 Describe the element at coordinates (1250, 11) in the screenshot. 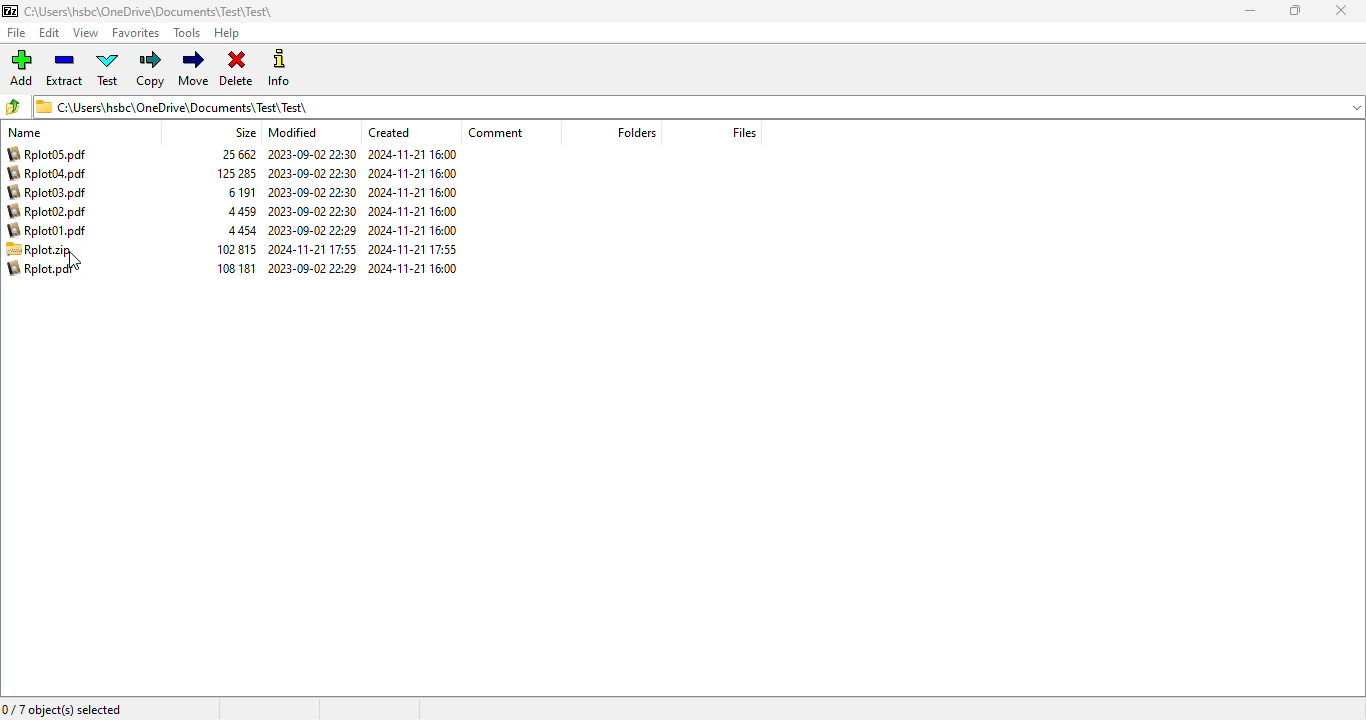

I see `minimize` at that location.